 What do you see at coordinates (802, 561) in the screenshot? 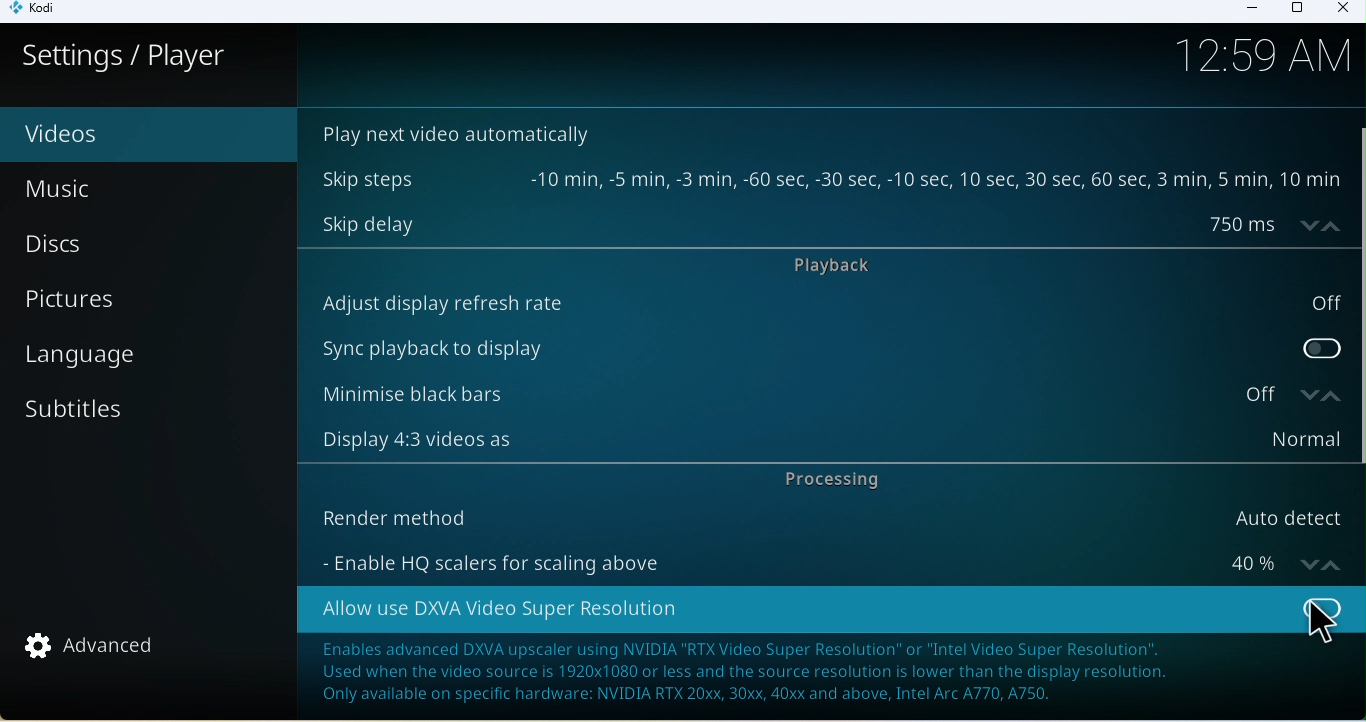
I see `Enable HQ scalers for scaling above` at bounding box center [802, 561].